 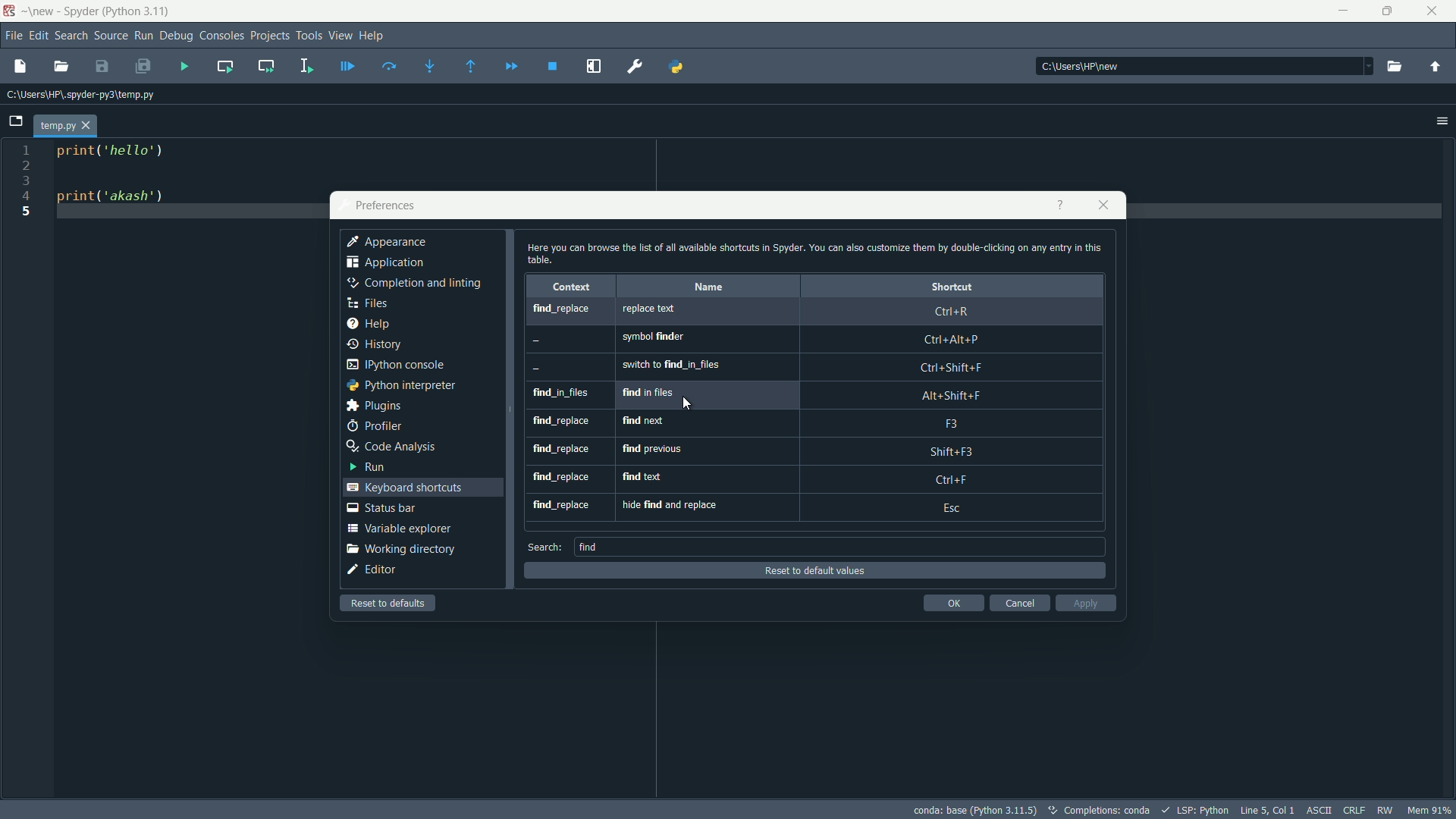 What do you see at coordinates (404, 366) in the screenshot?
I see `python console` at bounding box center [404, 366].